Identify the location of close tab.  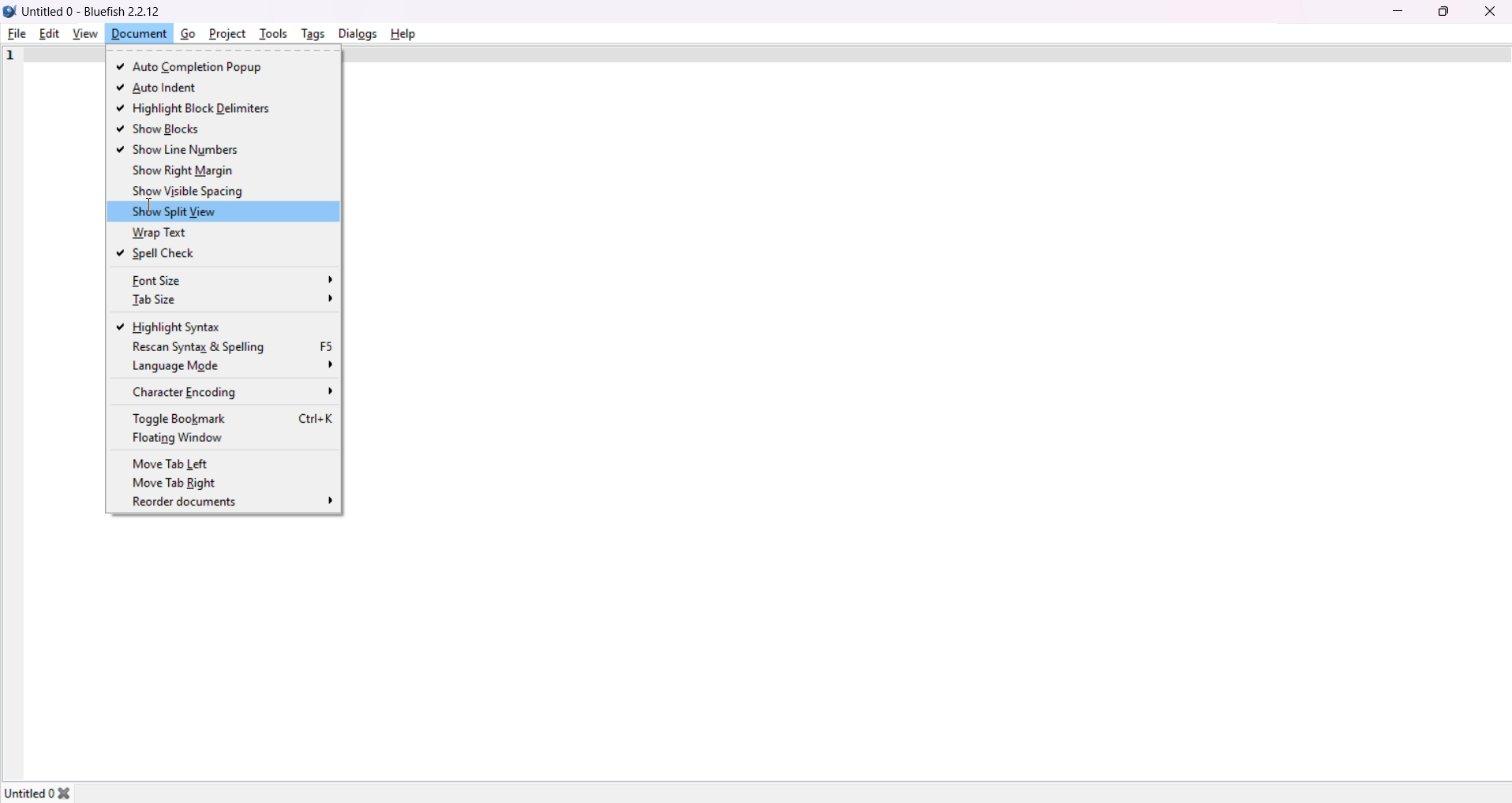
(74, 790).